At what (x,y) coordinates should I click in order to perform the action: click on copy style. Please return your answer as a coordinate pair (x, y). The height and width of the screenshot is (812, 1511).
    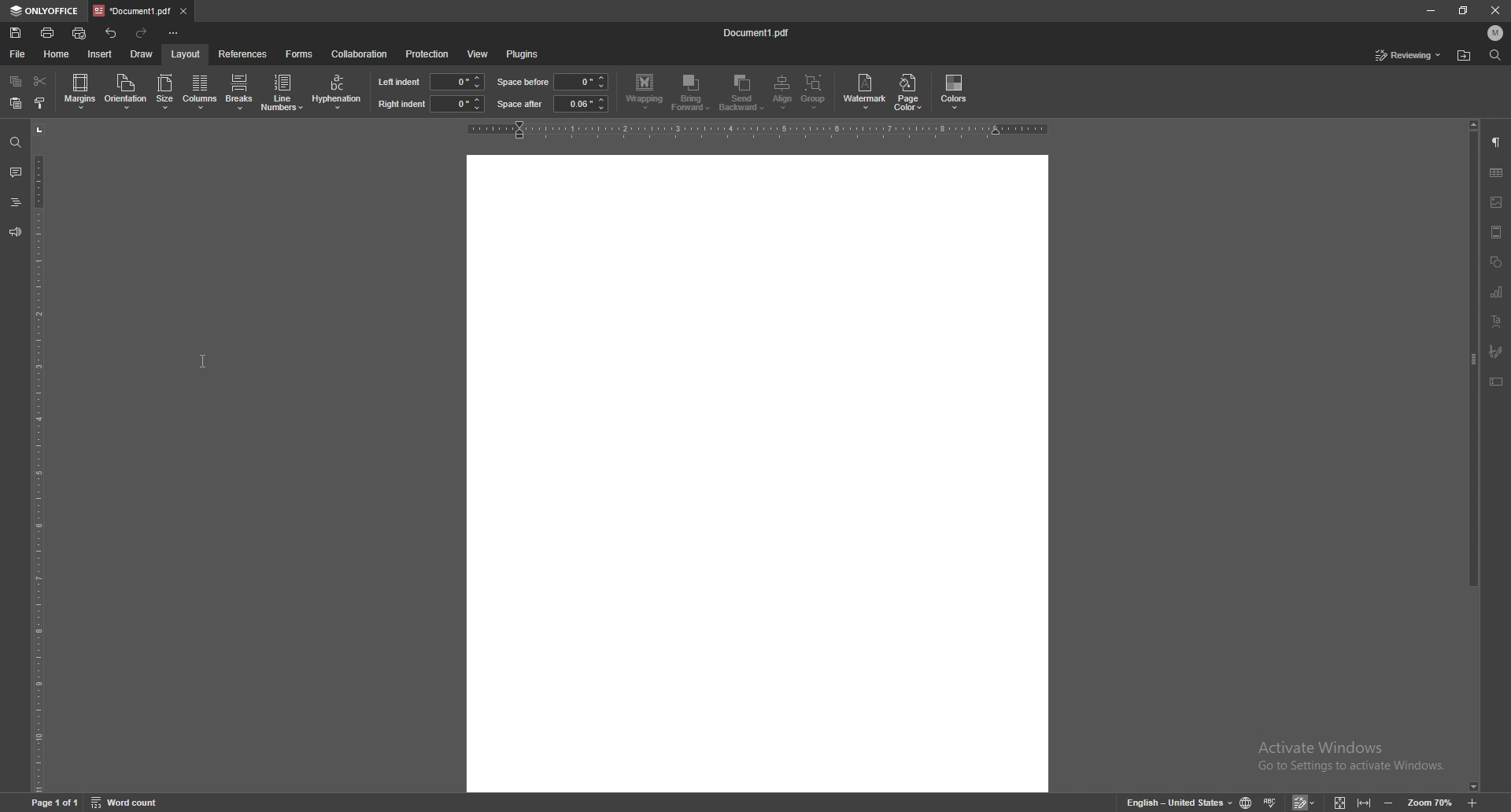
    Looking at the image, I should click on (40, 101).